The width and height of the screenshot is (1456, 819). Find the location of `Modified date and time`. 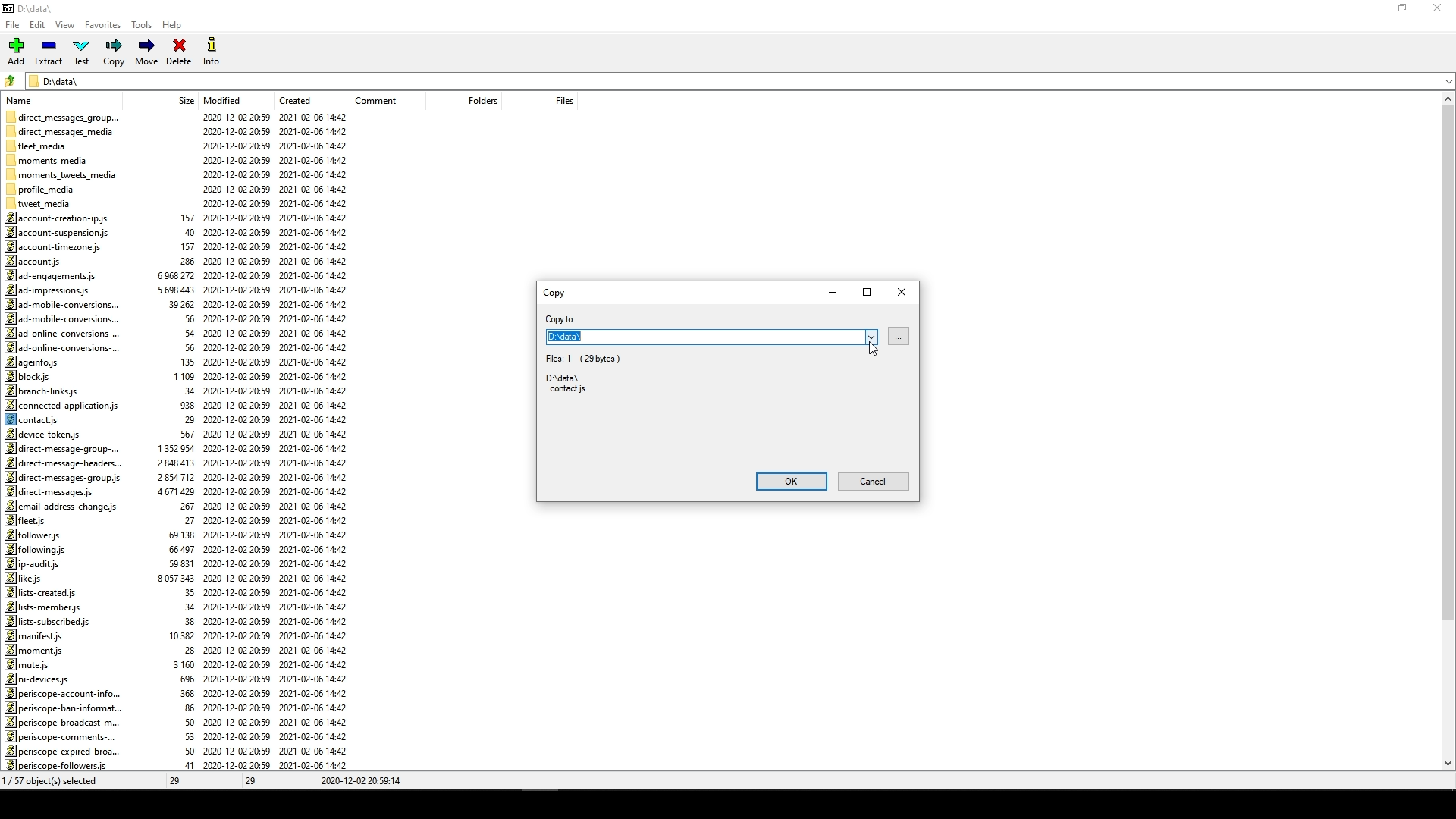

Modified date and time is located at coordinates (236, 441).